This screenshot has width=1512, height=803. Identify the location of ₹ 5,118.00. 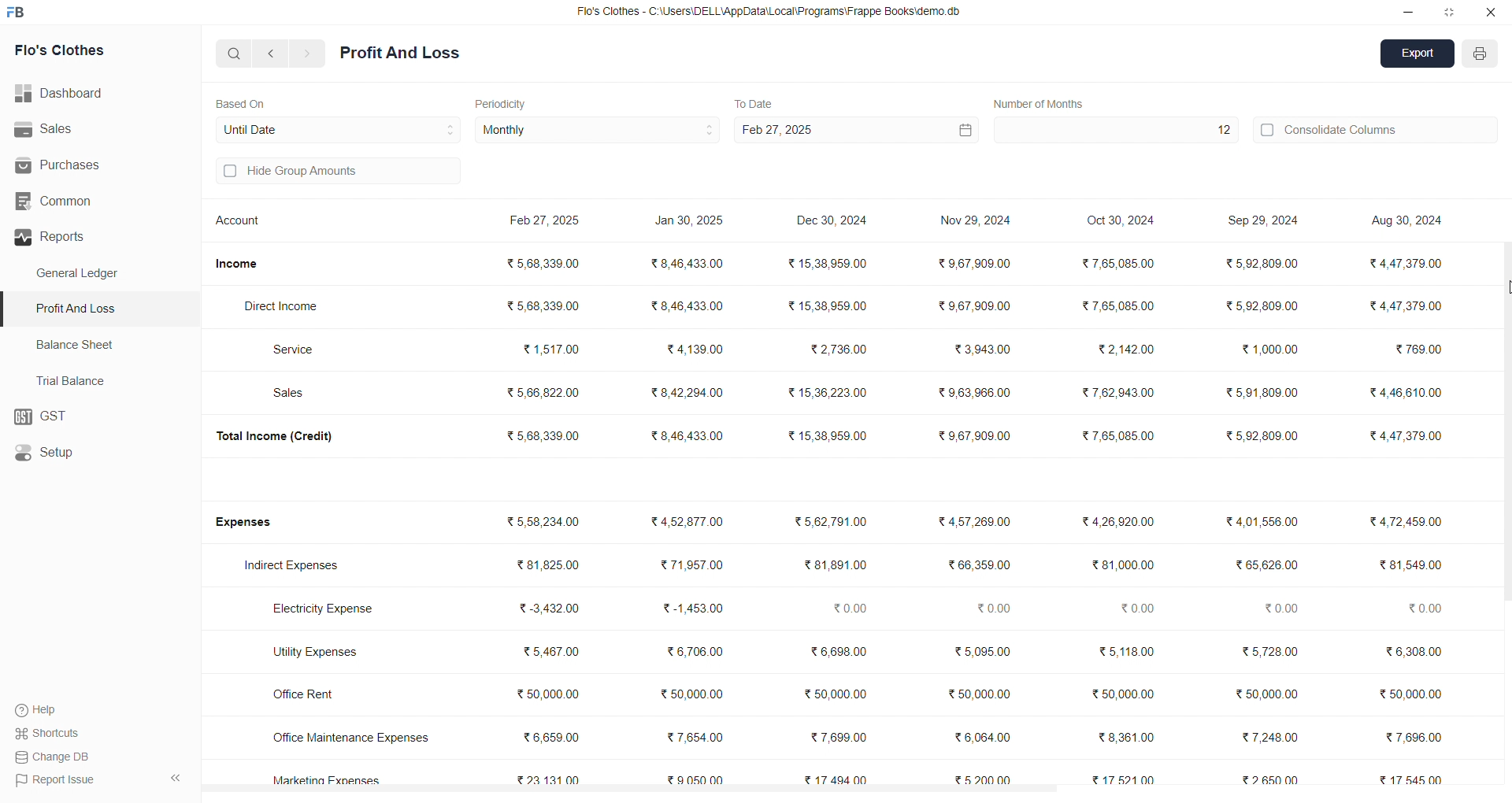
(1121, 651).